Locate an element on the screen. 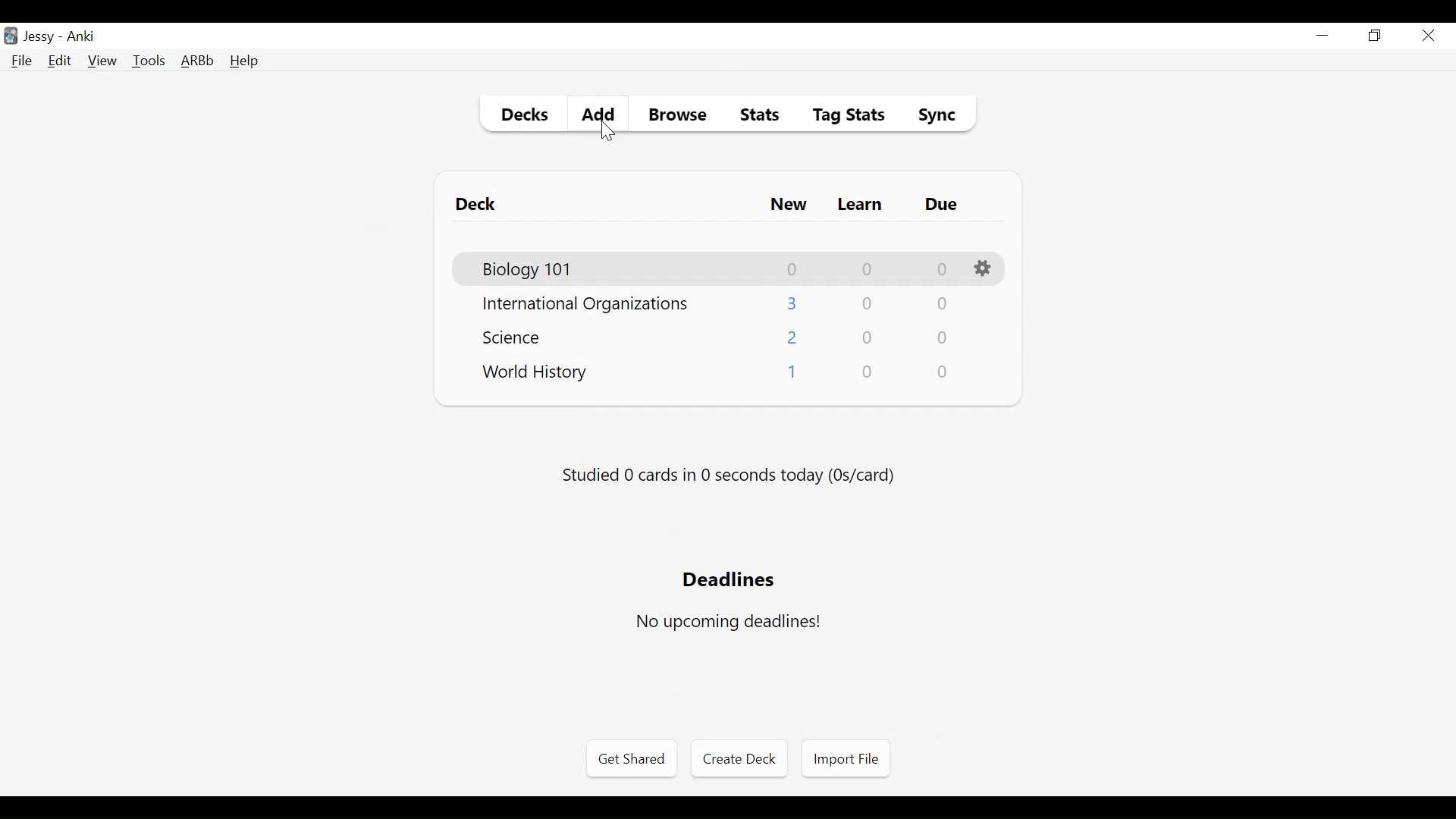 The width and height of the screenshot is (1456, 819). Tools is located at coordinates (149, 60).